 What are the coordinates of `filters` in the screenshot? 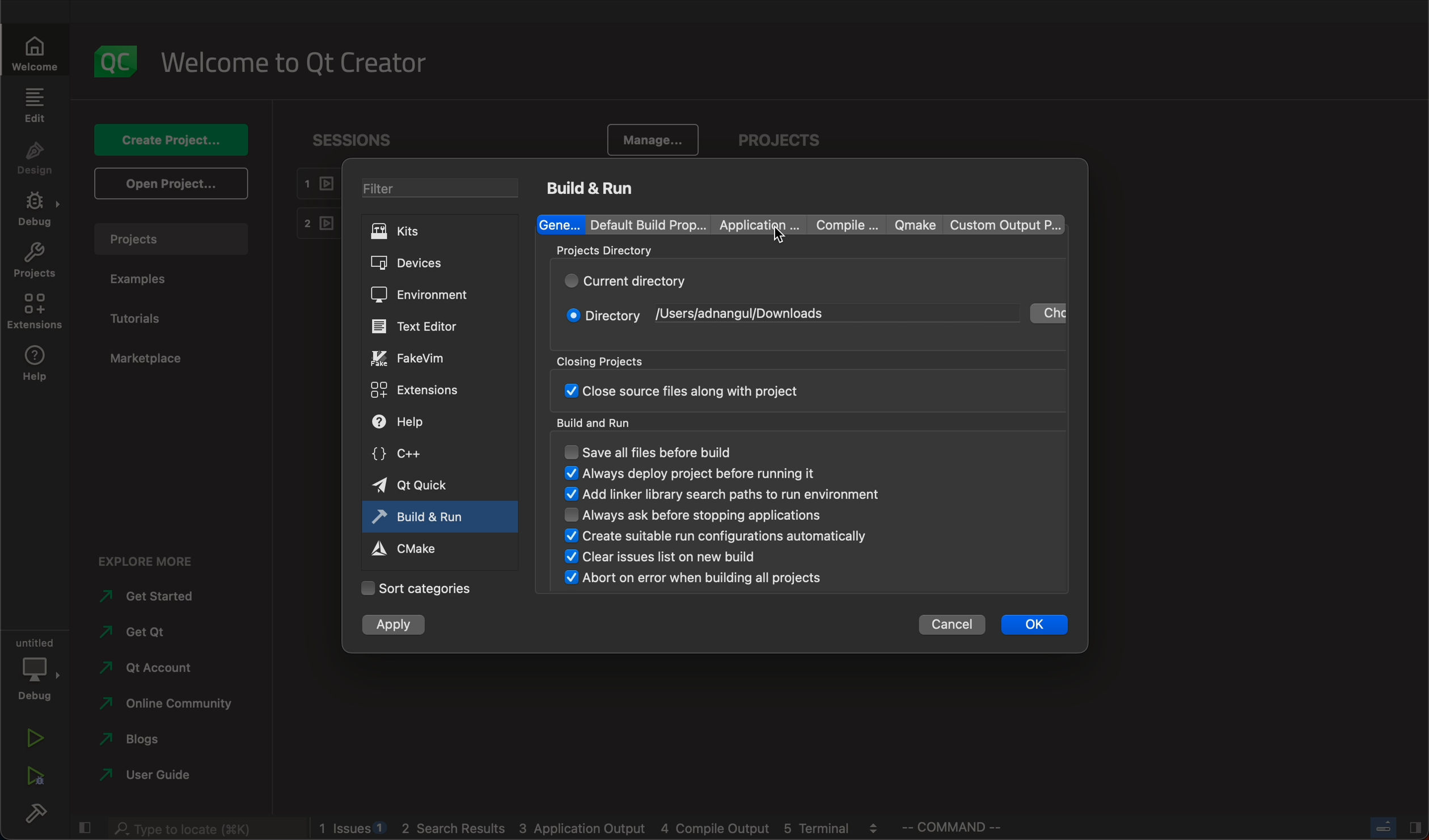 It's located at (441, 189).